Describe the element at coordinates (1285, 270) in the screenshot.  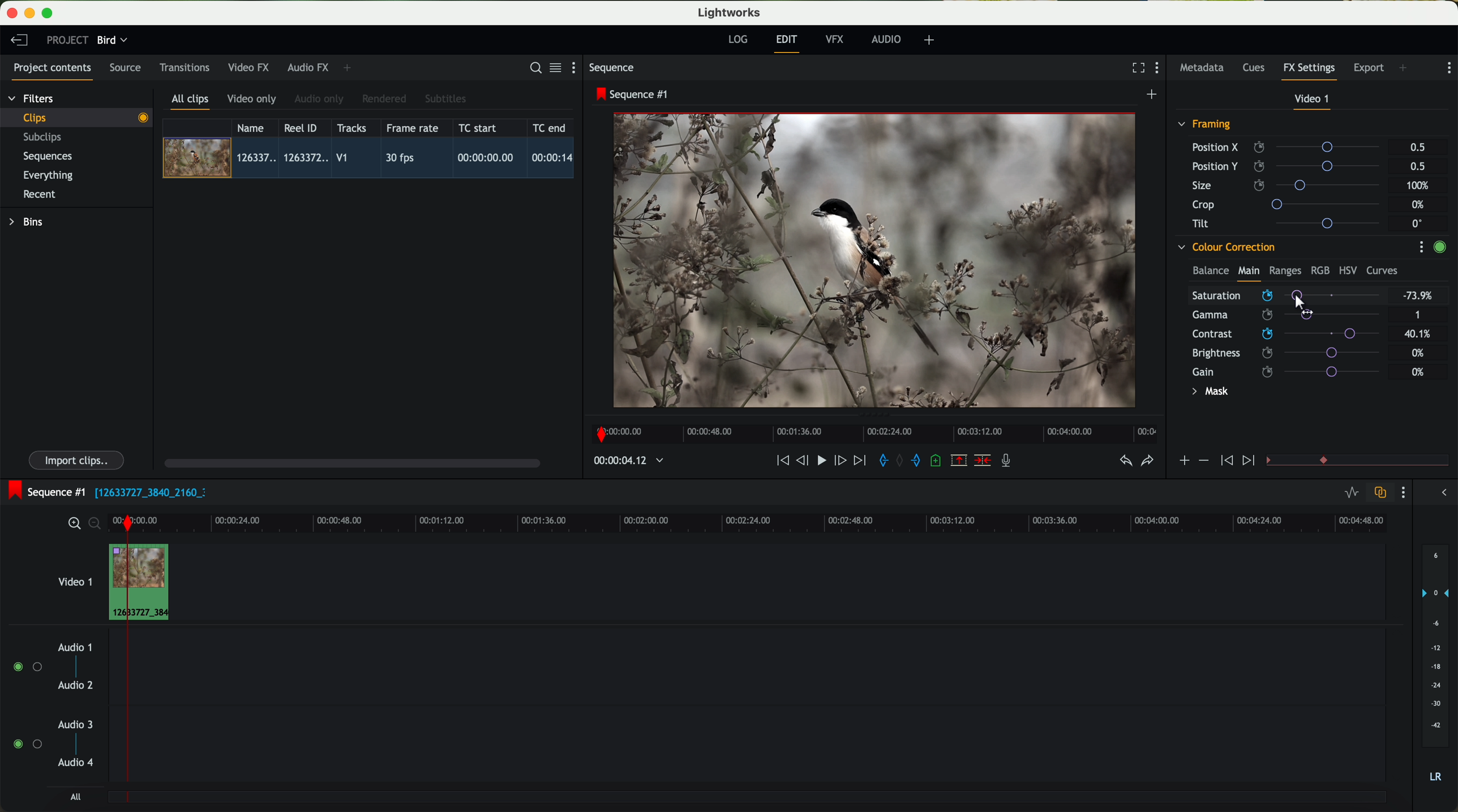
I see `ranges` at that location.